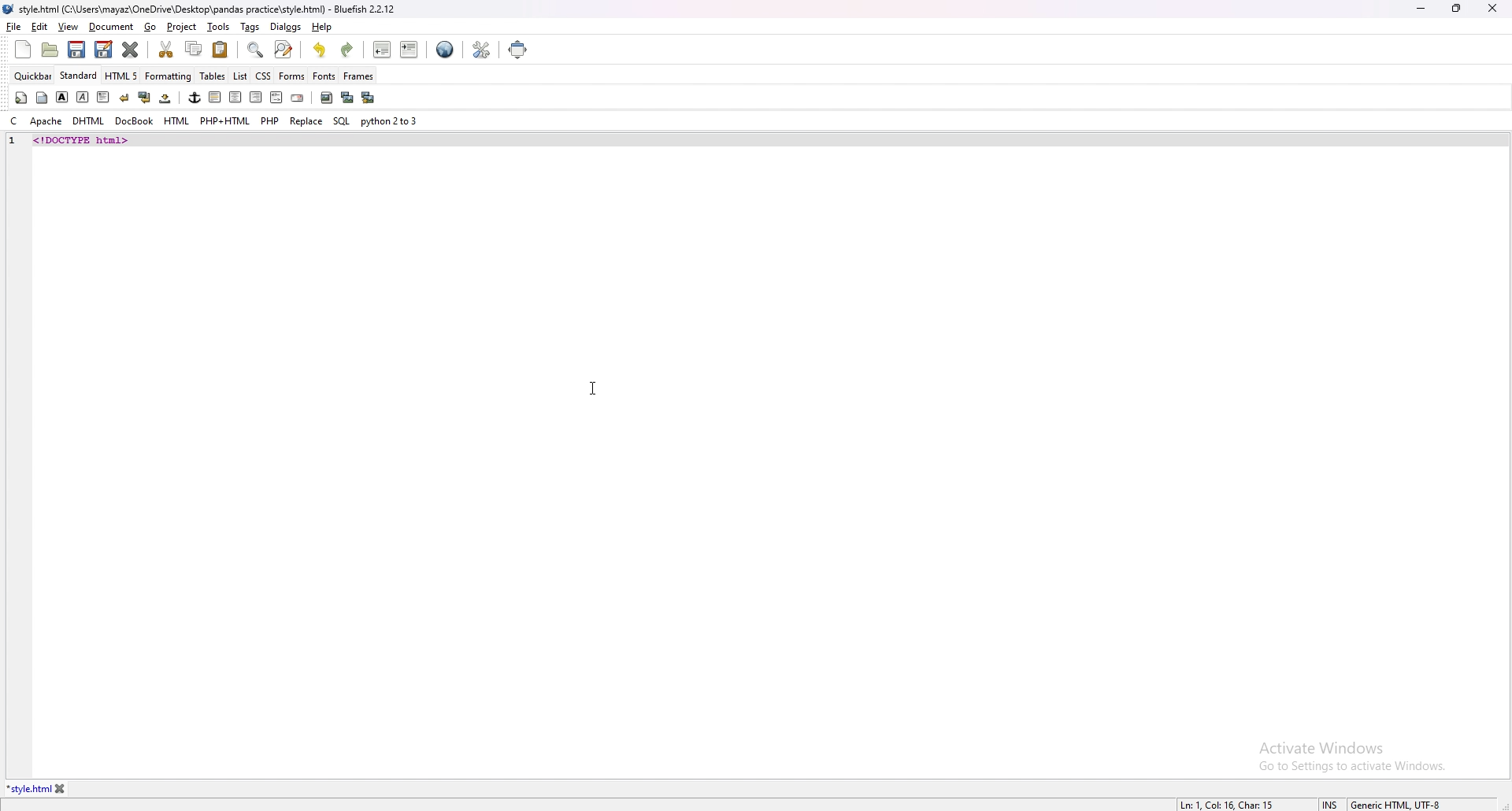 The width and height of the screenshot is (1512, 811). Describe the element at coordinates (152, 28) in the screenshot. I see `go` at that location.